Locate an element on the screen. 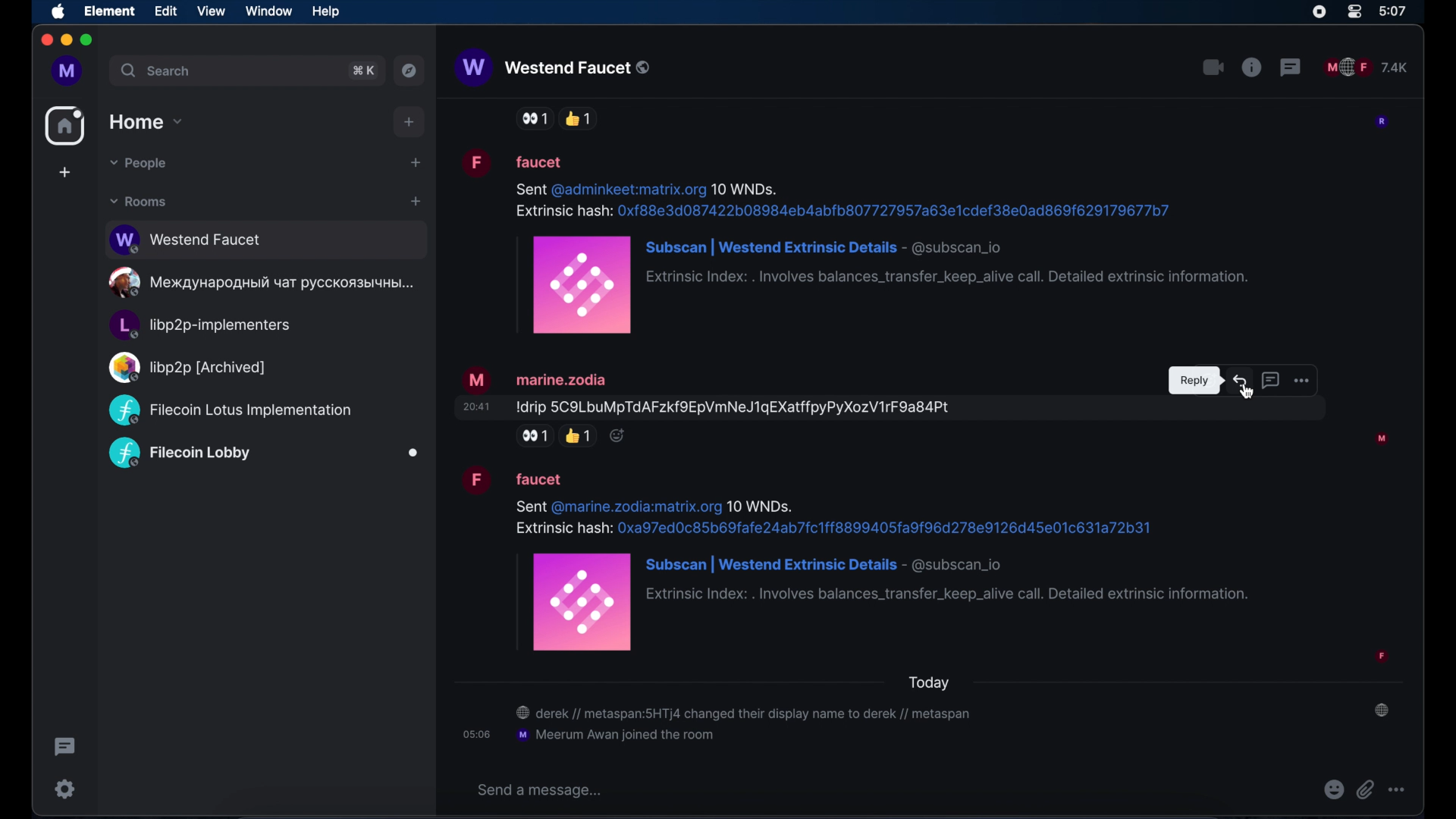 The image size is (1456, 819). public room is located at coordinates (266, 240).